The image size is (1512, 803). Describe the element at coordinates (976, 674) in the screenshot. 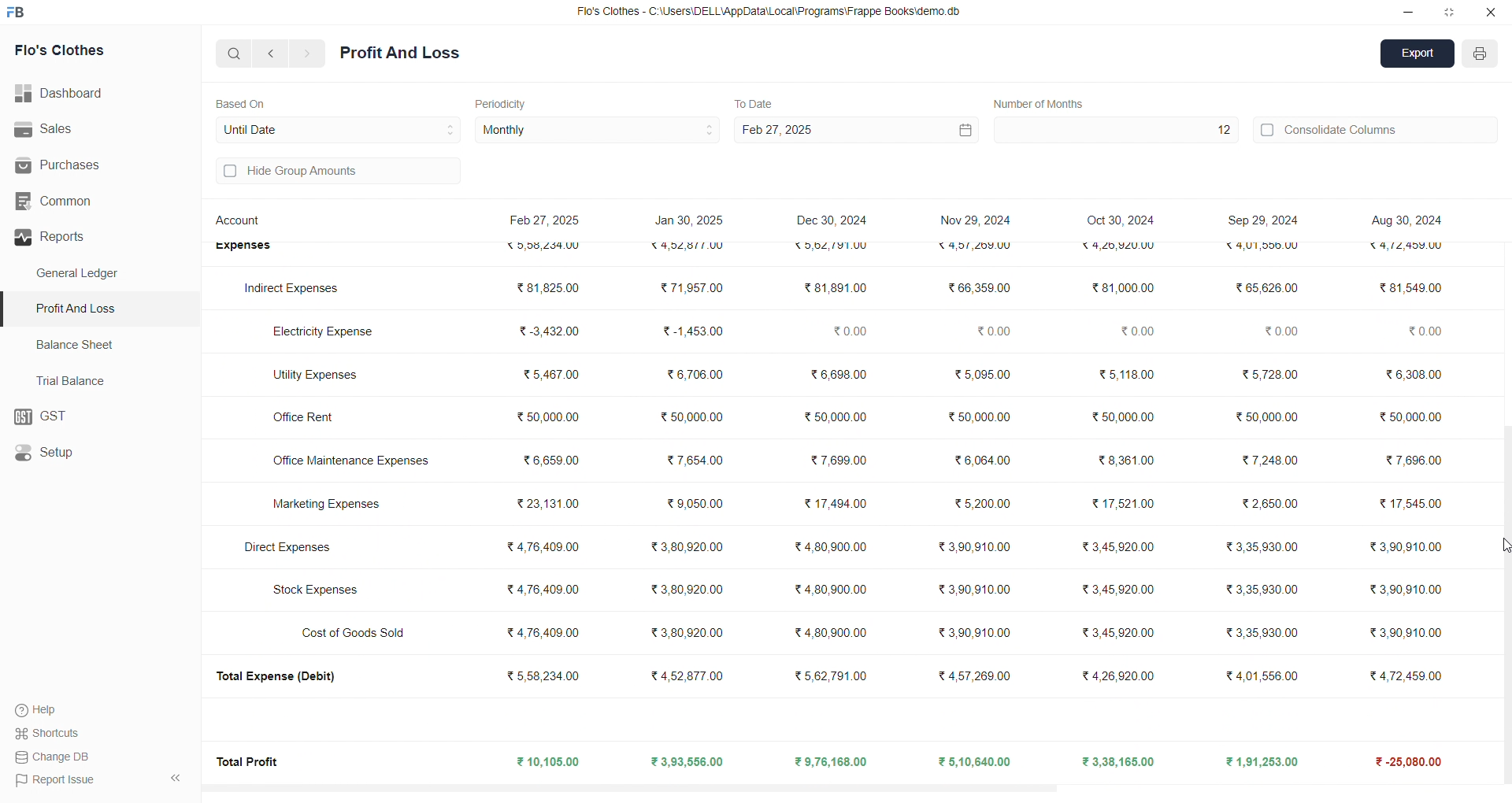

I see `₹4,57,269.00` at that location.